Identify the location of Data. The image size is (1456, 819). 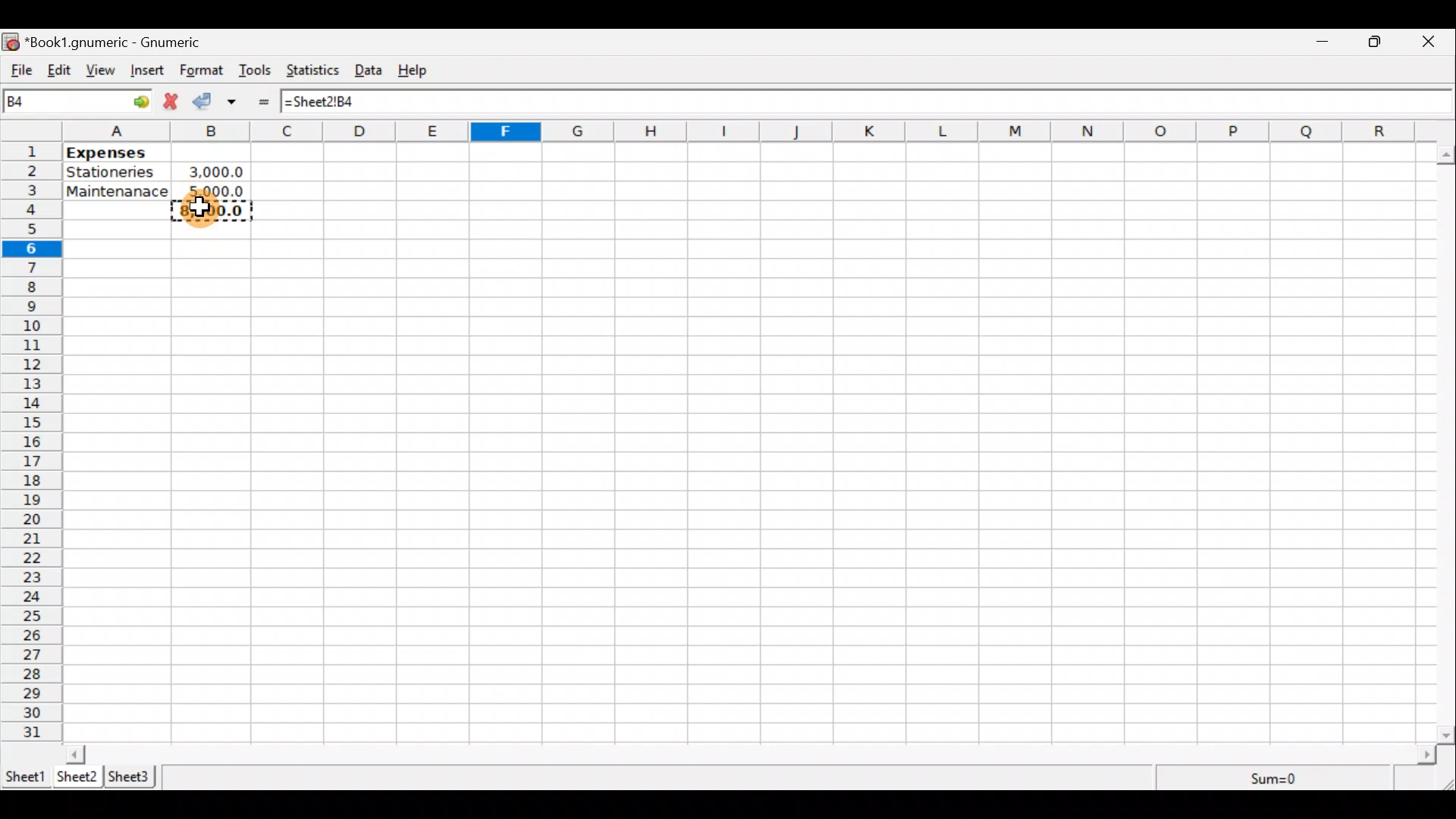
(373, 71).